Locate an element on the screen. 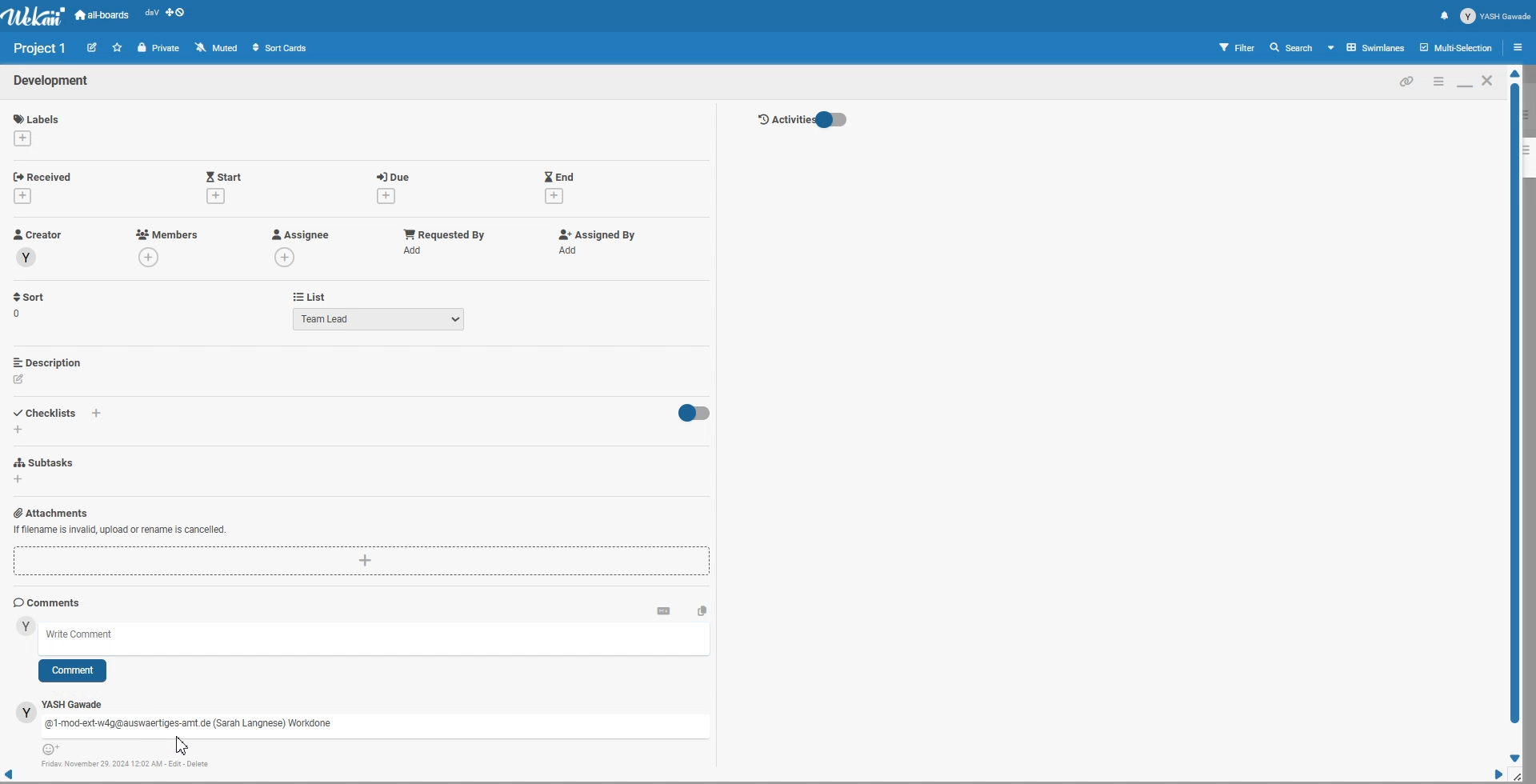 This screenshot has height=784, width=1536. Add Subtasks is located at coordinates (46, 462).